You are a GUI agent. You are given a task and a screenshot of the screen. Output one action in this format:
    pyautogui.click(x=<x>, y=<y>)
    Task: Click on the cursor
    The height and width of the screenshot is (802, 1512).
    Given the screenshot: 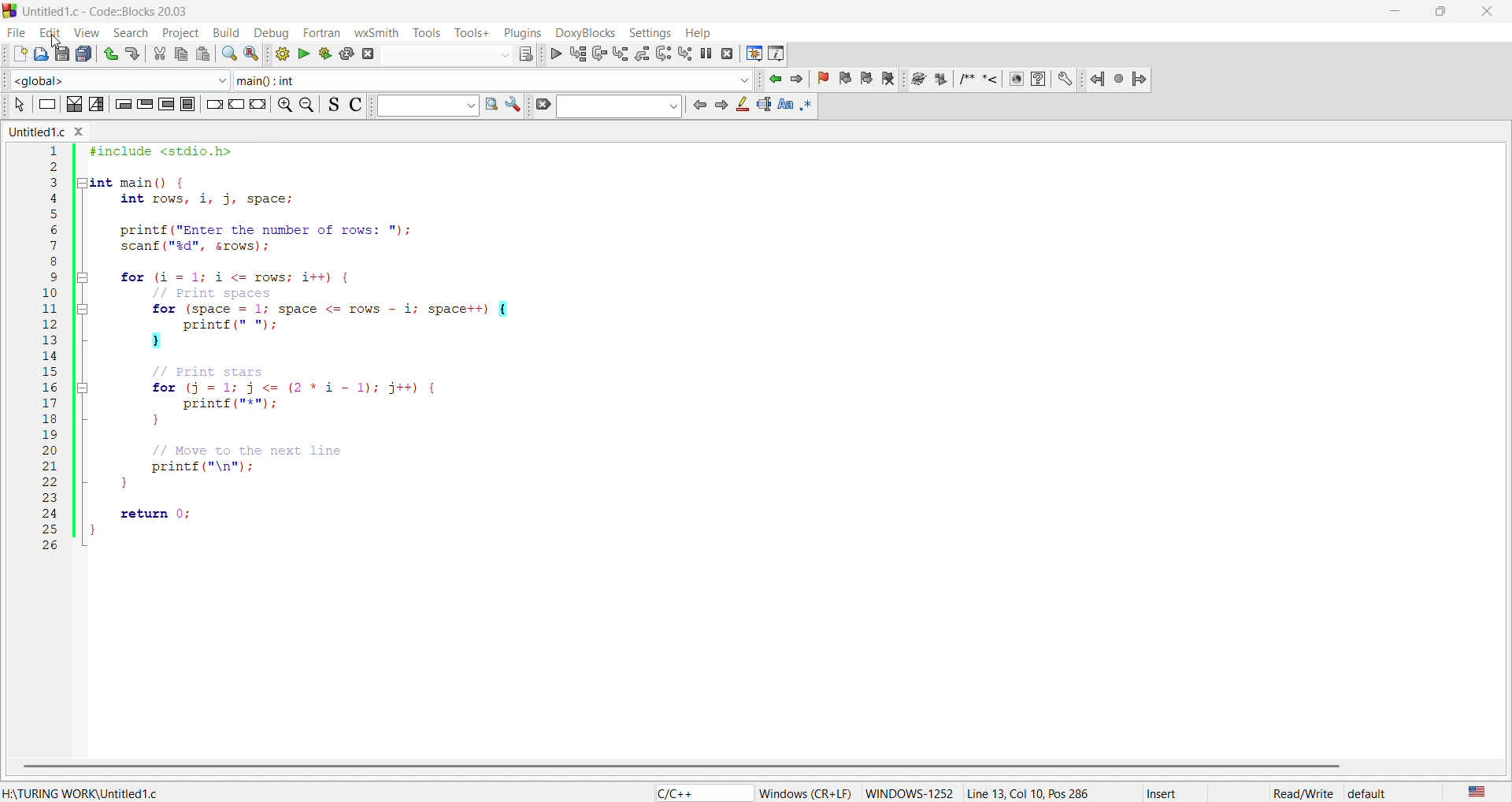 What is the action you would take?
    pyautogui.click(x=57, y=42)
    